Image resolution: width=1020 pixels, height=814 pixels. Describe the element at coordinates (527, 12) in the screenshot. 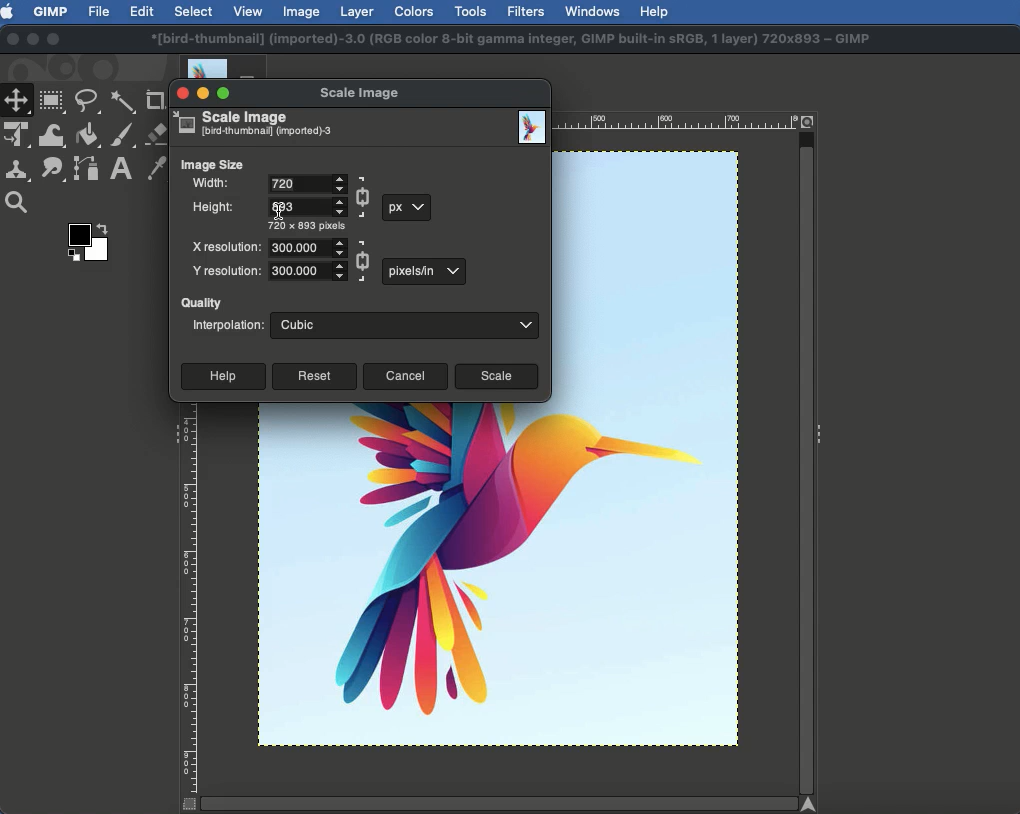

I see `Filters` at that location.